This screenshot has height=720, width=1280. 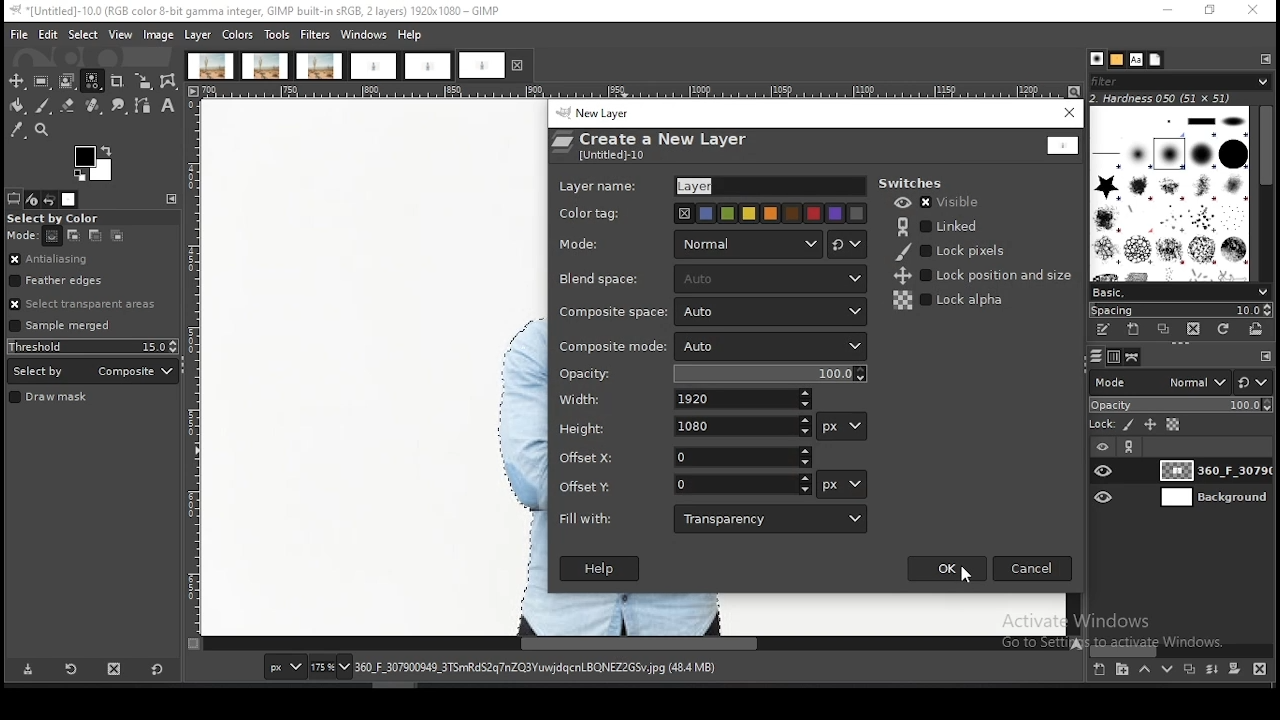 What do you see at coordinates (93, 371) in the screenshot?
I see `select by` at bounding box center [93, 371].